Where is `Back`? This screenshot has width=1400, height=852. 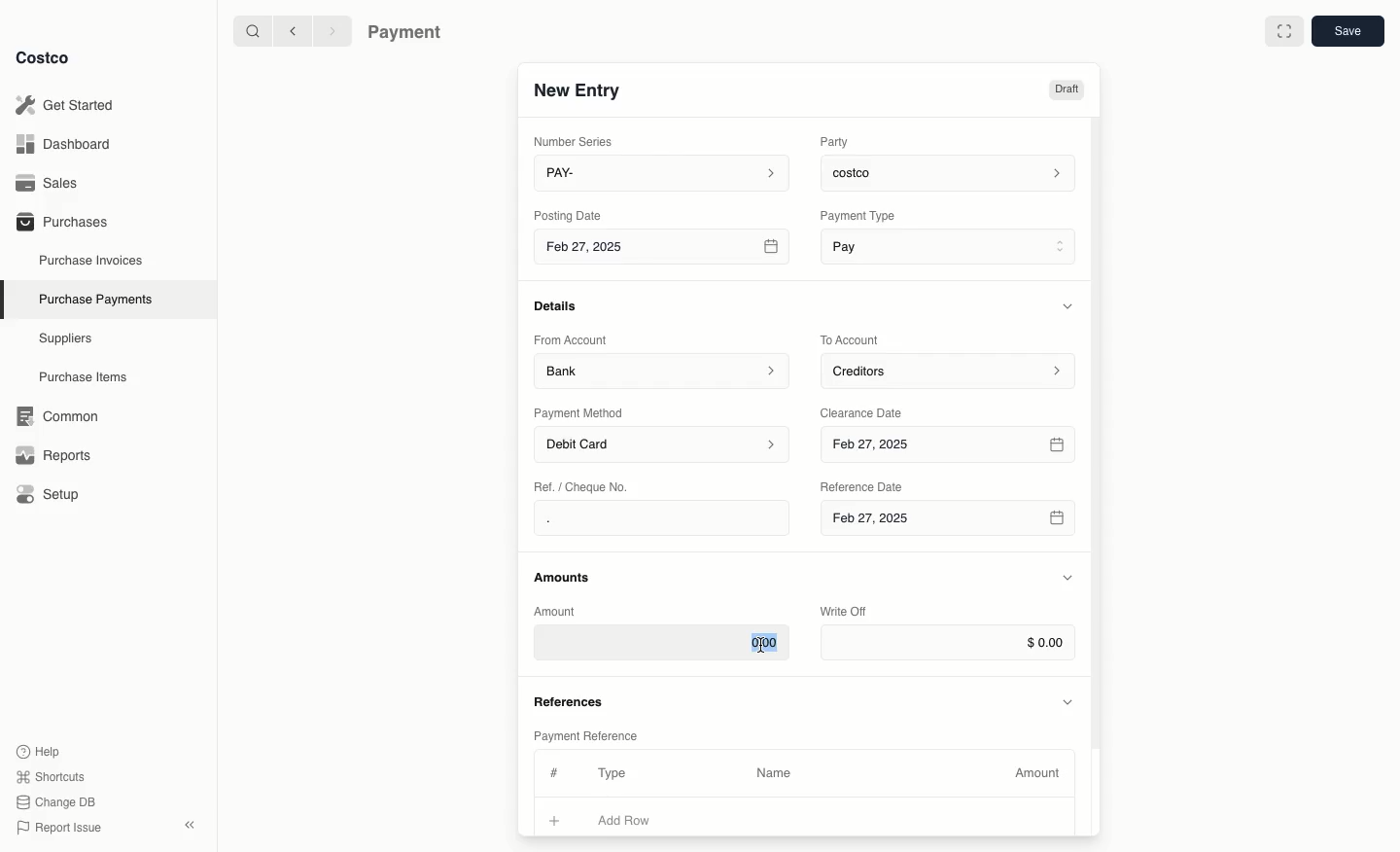 Back is located at coordinates (293, 30).